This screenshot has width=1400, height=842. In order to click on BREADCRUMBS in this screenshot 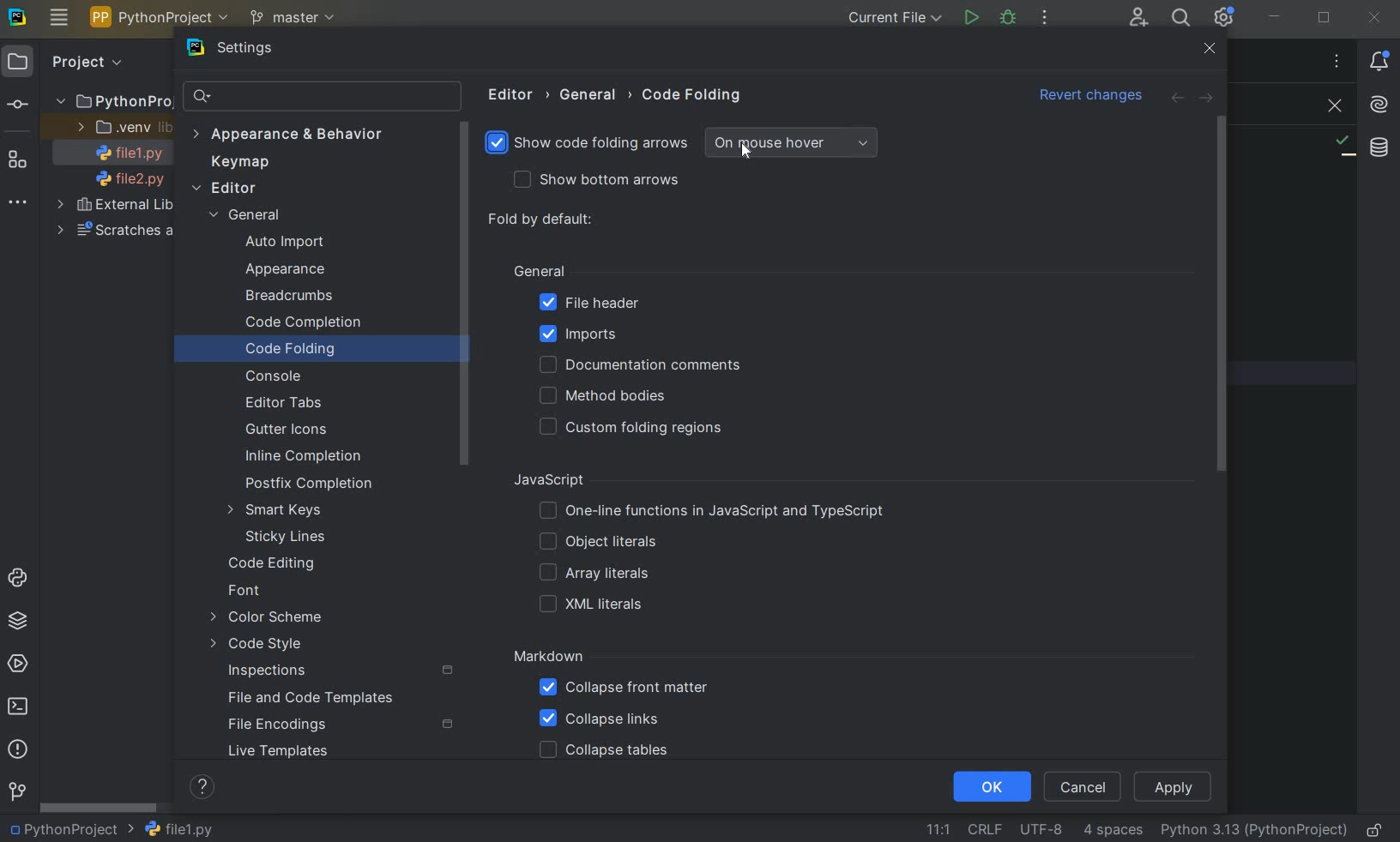, I will do `click(306, 297)`.